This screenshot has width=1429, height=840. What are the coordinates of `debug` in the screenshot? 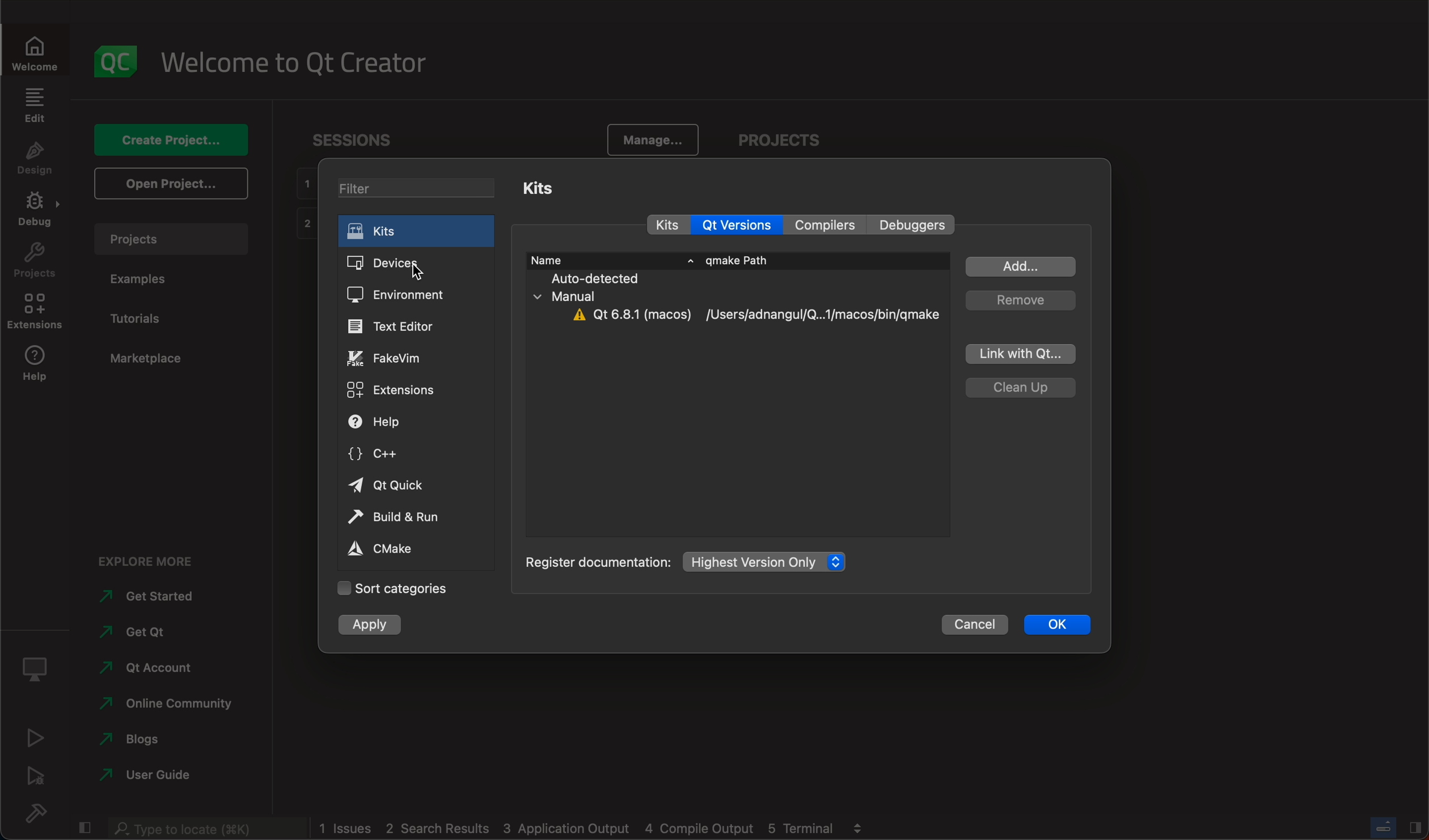 It's located at (33, 779).